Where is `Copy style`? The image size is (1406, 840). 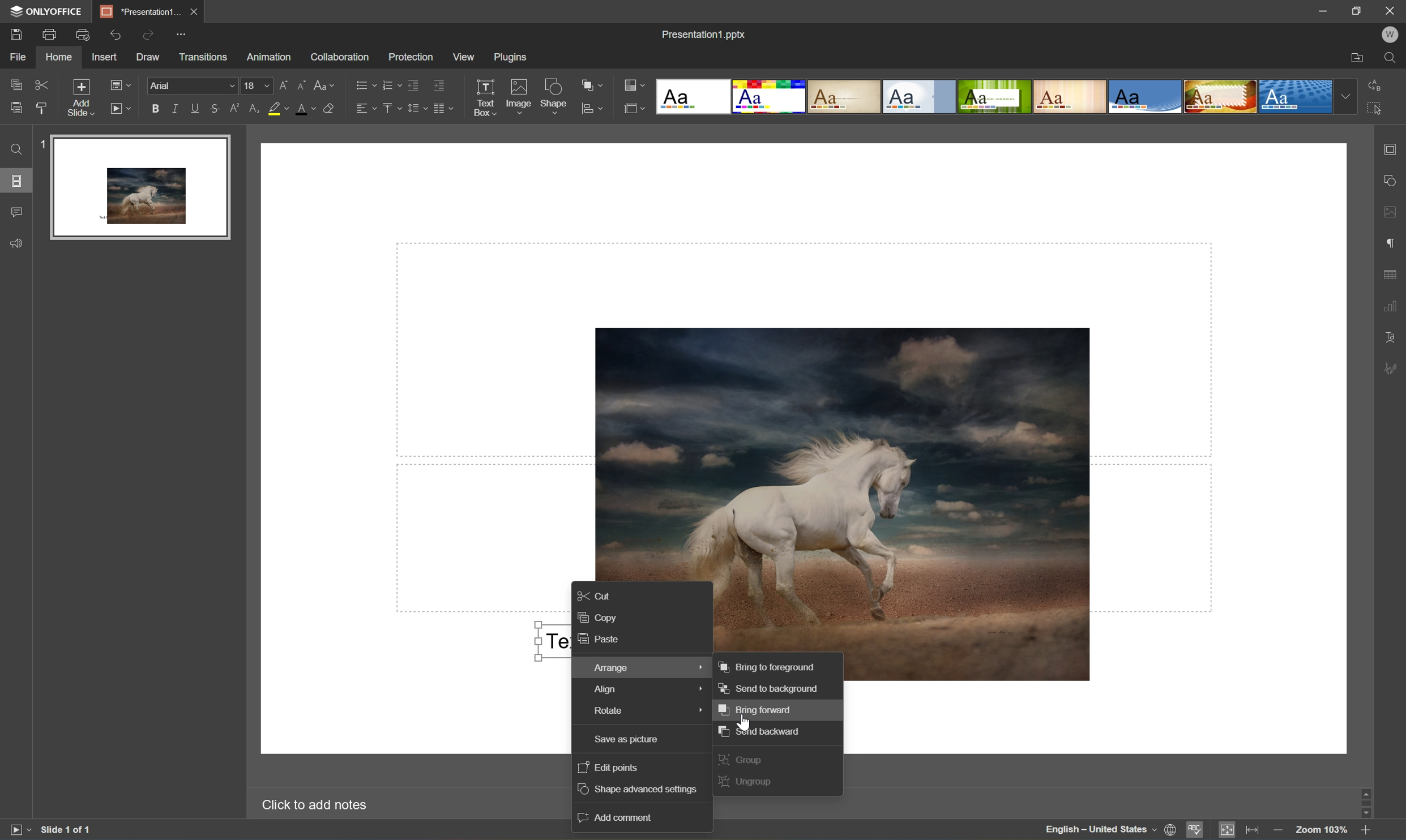 Copy style is located at coordinates (41, 108).